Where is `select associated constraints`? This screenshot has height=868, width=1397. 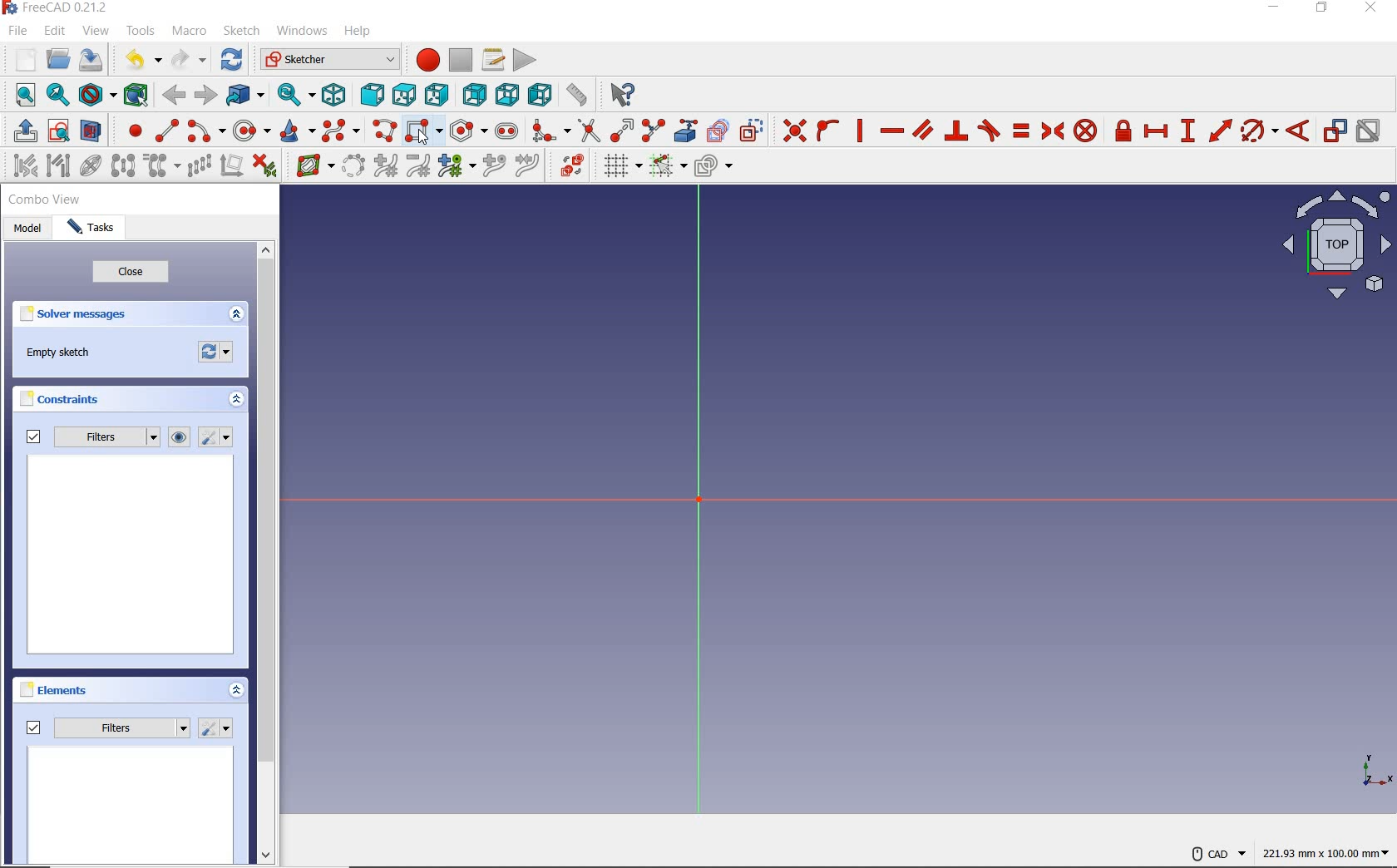 select associated constraints is located at coordinates (19, 165).